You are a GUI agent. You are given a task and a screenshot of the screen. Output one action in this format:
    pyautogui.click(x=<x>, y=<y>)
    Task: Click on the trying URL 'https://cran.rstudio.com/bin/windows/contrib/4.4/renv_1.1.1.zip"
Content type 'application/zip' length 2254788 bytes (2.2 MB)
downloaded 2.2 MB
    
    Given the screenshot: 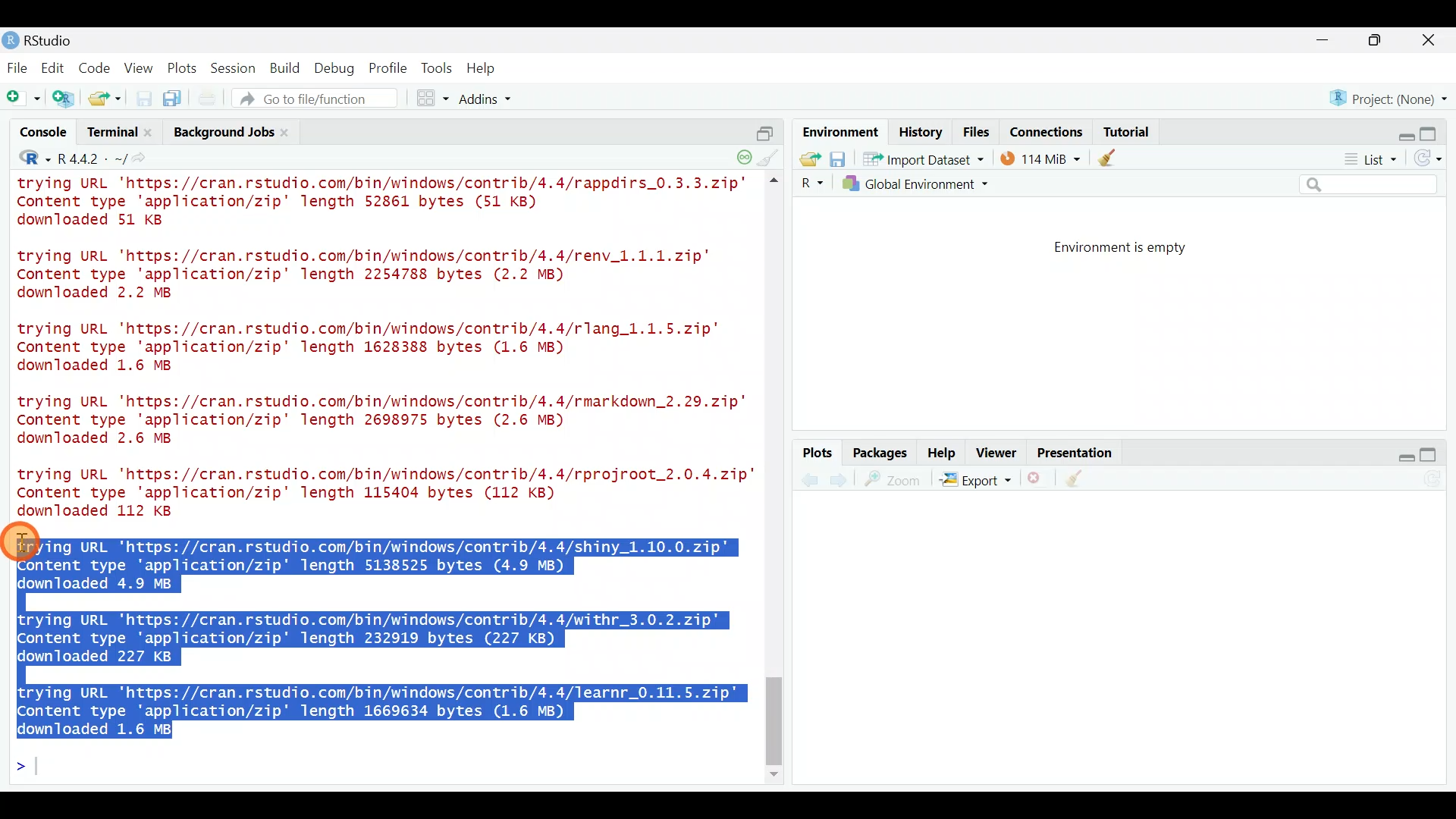 What is the action you would take?
    pyautogui.click(x=383, y=275)
    